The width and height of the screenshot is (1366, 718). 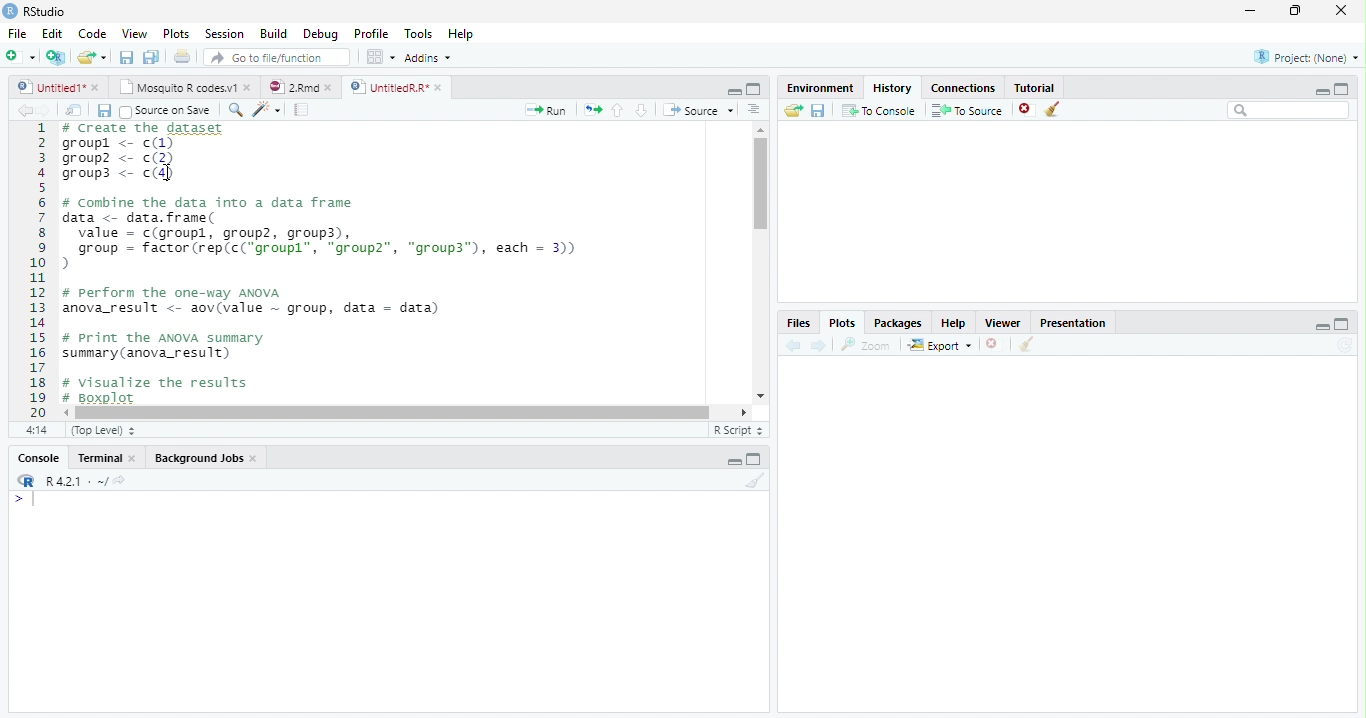 What do you see at coordinates (941, 345) in the screenshot?
I see `Export` at bounding box center [941, 345].